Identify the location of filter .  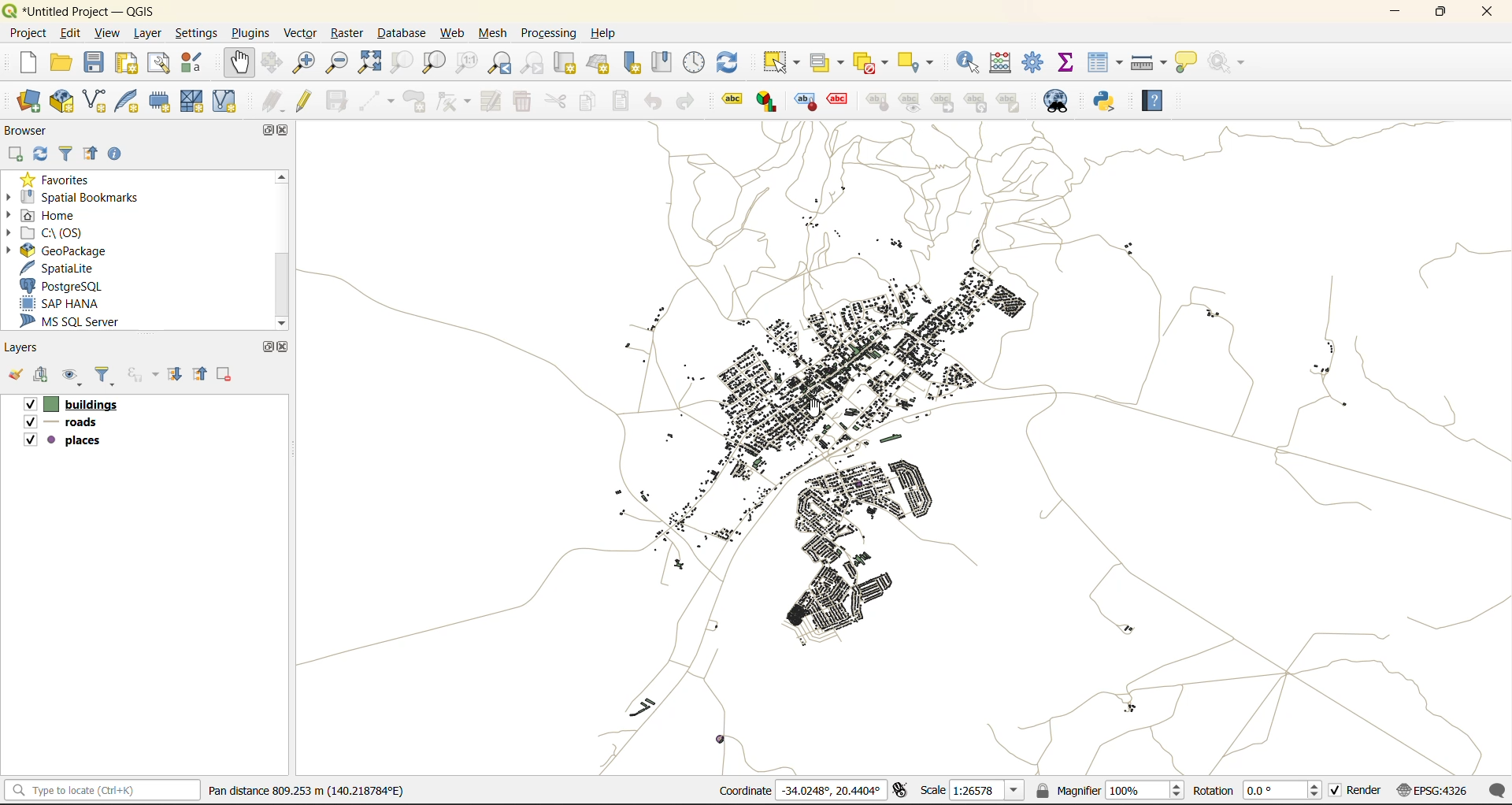
(109, 376).